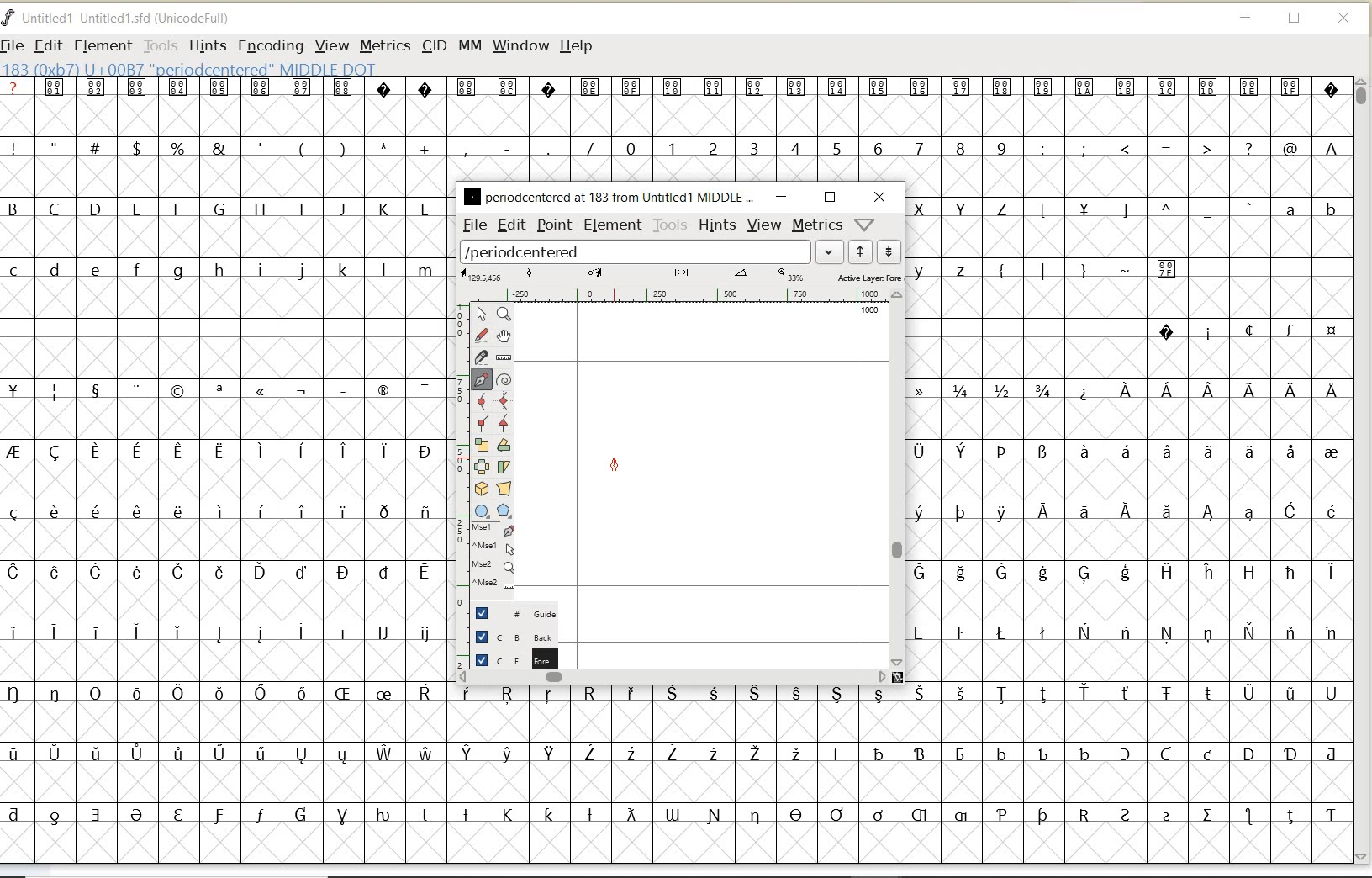  What do you see at coordinates (554, 226) in the screenshot?
I see `point` at bounding box center [554, 226].